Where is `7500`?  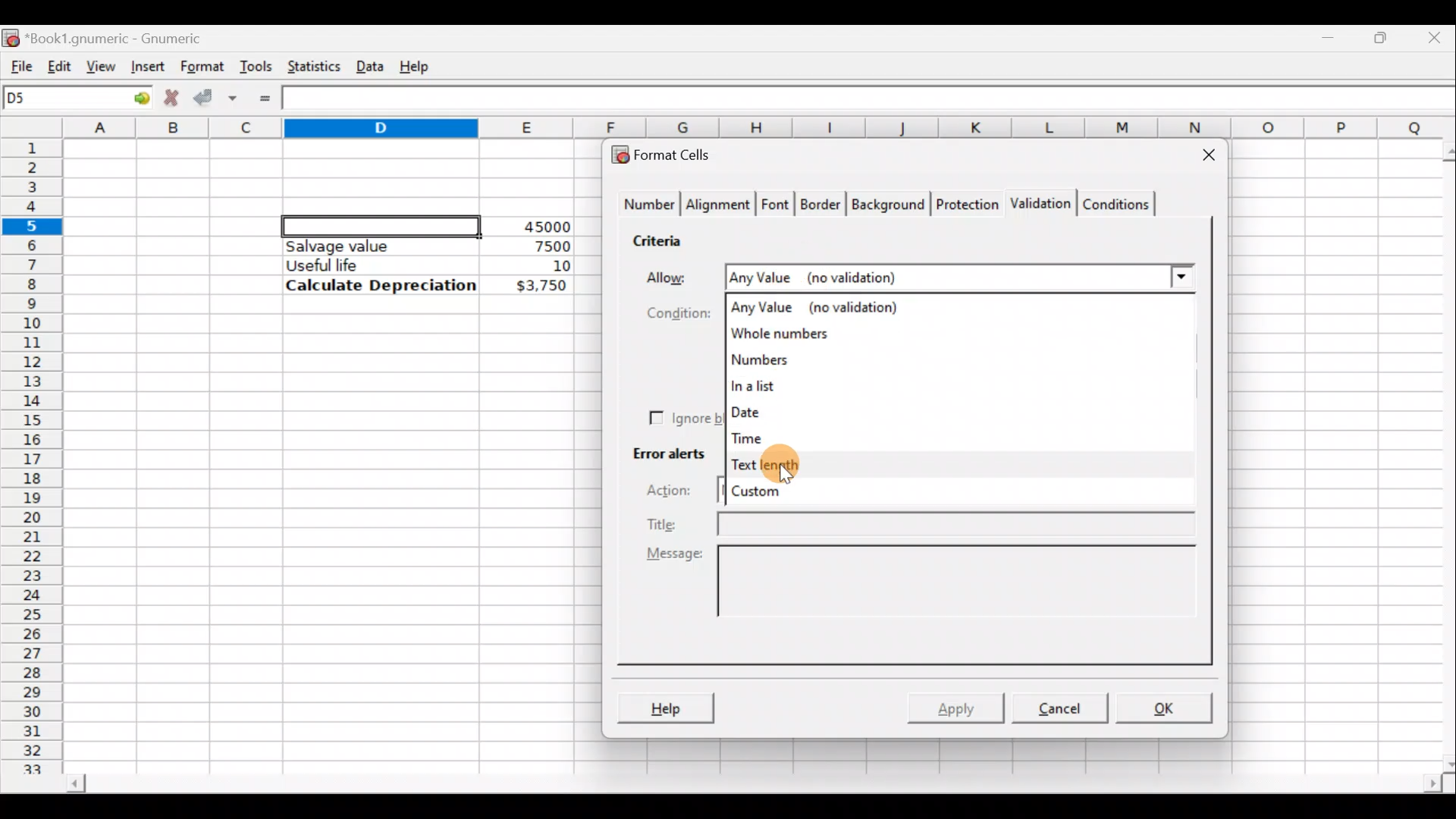
7500 is located at coordinates (528, 245).